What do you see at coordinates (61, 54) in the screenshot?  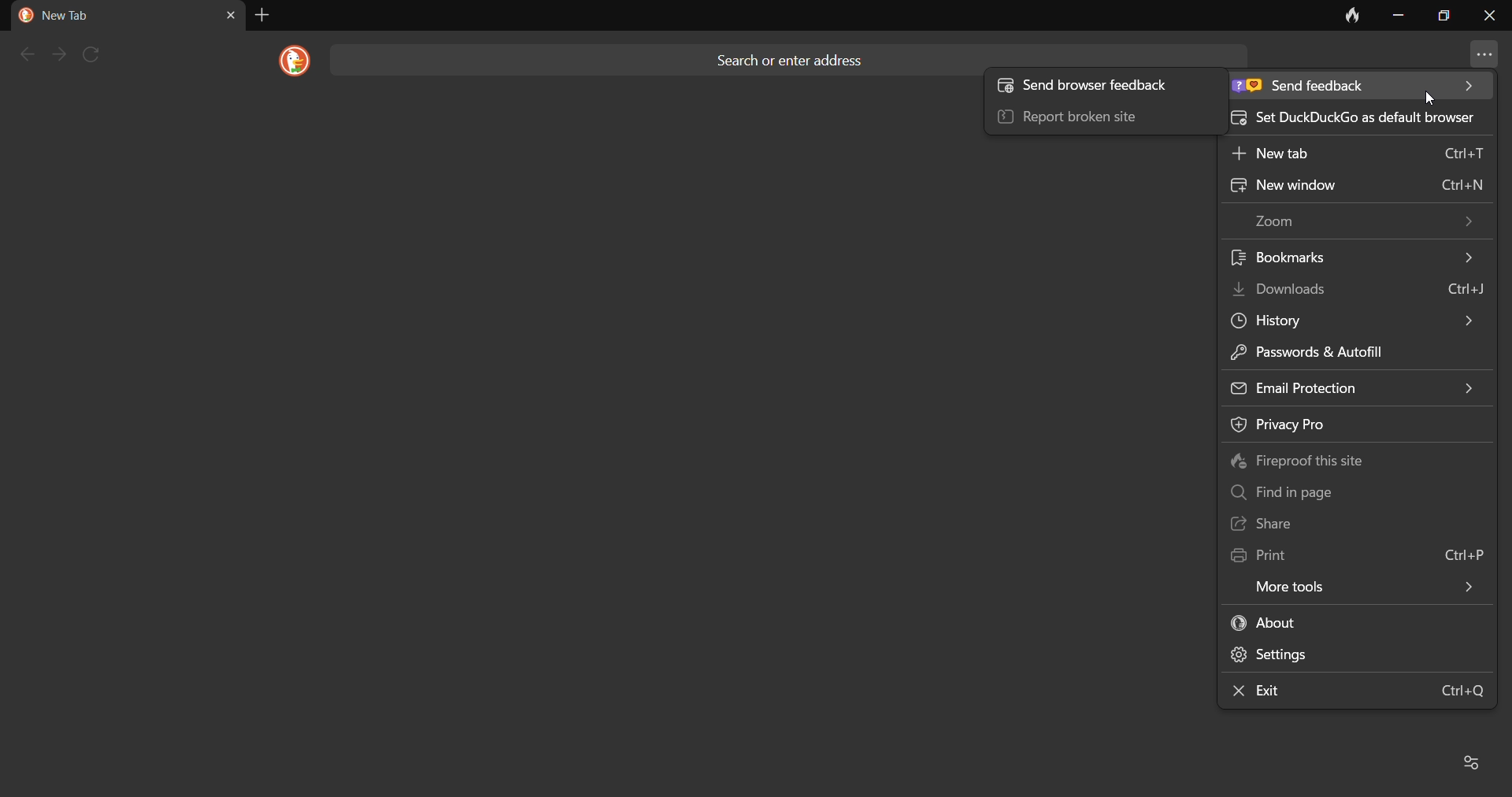 I see `next` at bounding box center [61, 54].